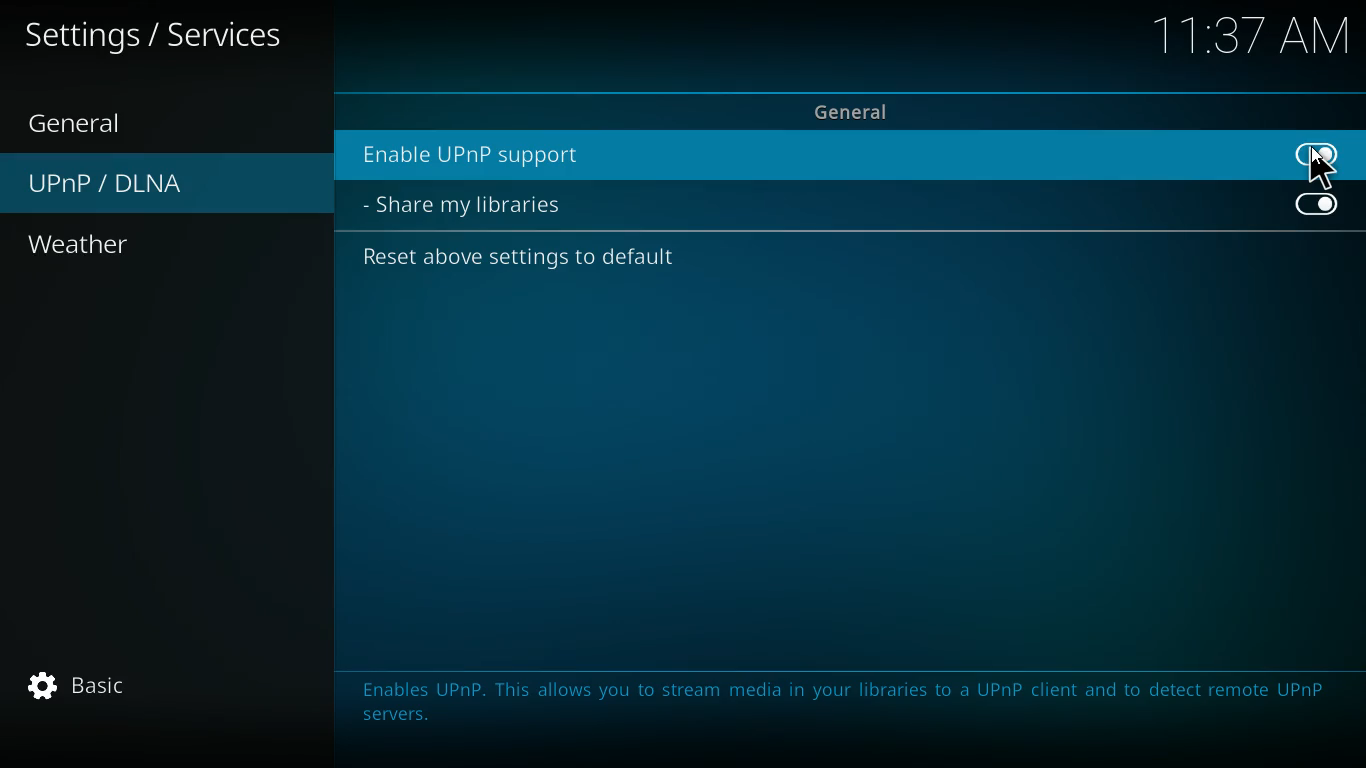 The height and width of the screenshot is (768, 1366). I want to click on general, so click(855, 111).